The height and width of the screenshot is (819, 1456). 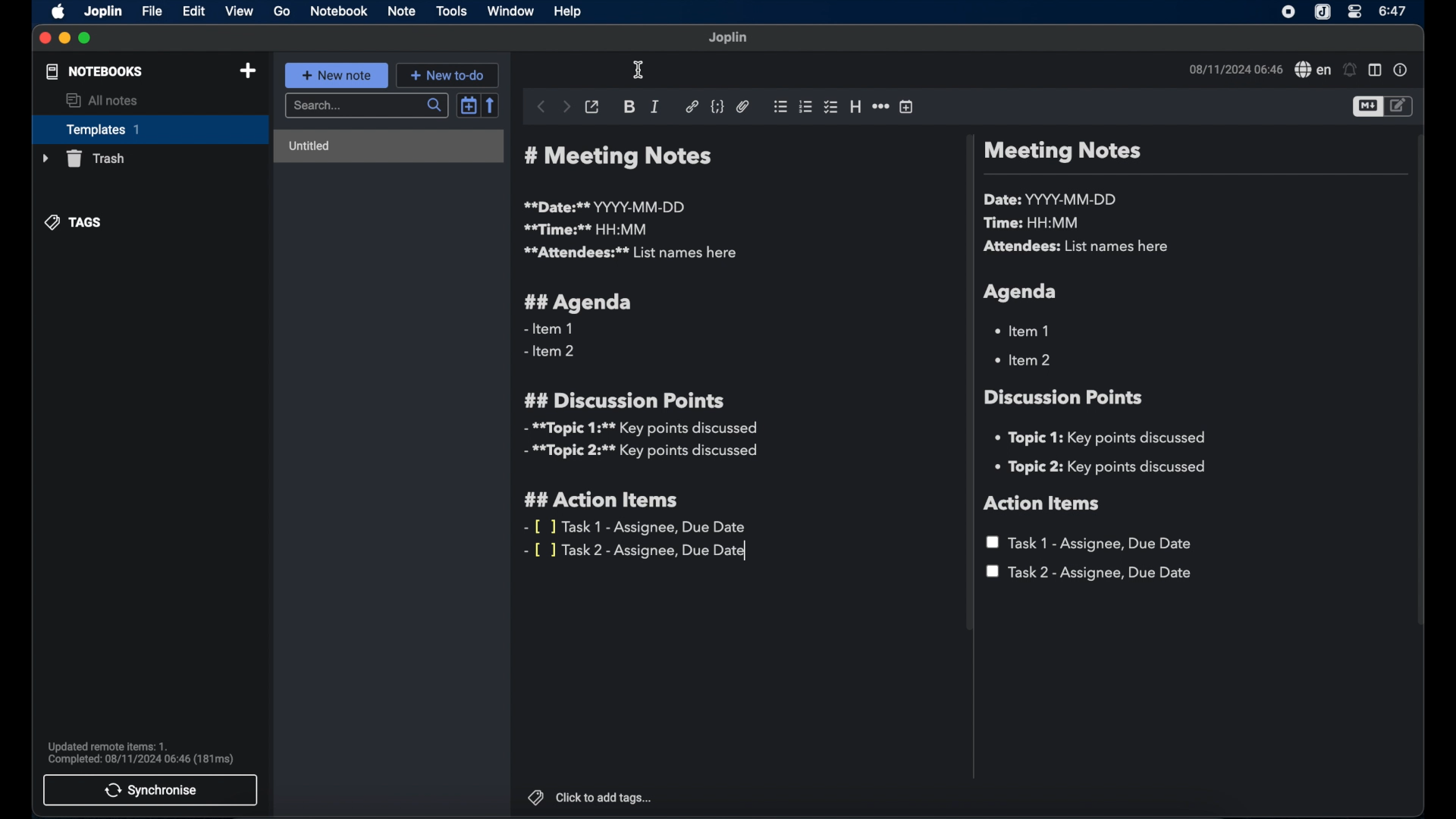 What do you see at coordinates (1234, 69) in the screenshot?
I see `08/11/2024 06:46` at bounding box center [1234, 69].